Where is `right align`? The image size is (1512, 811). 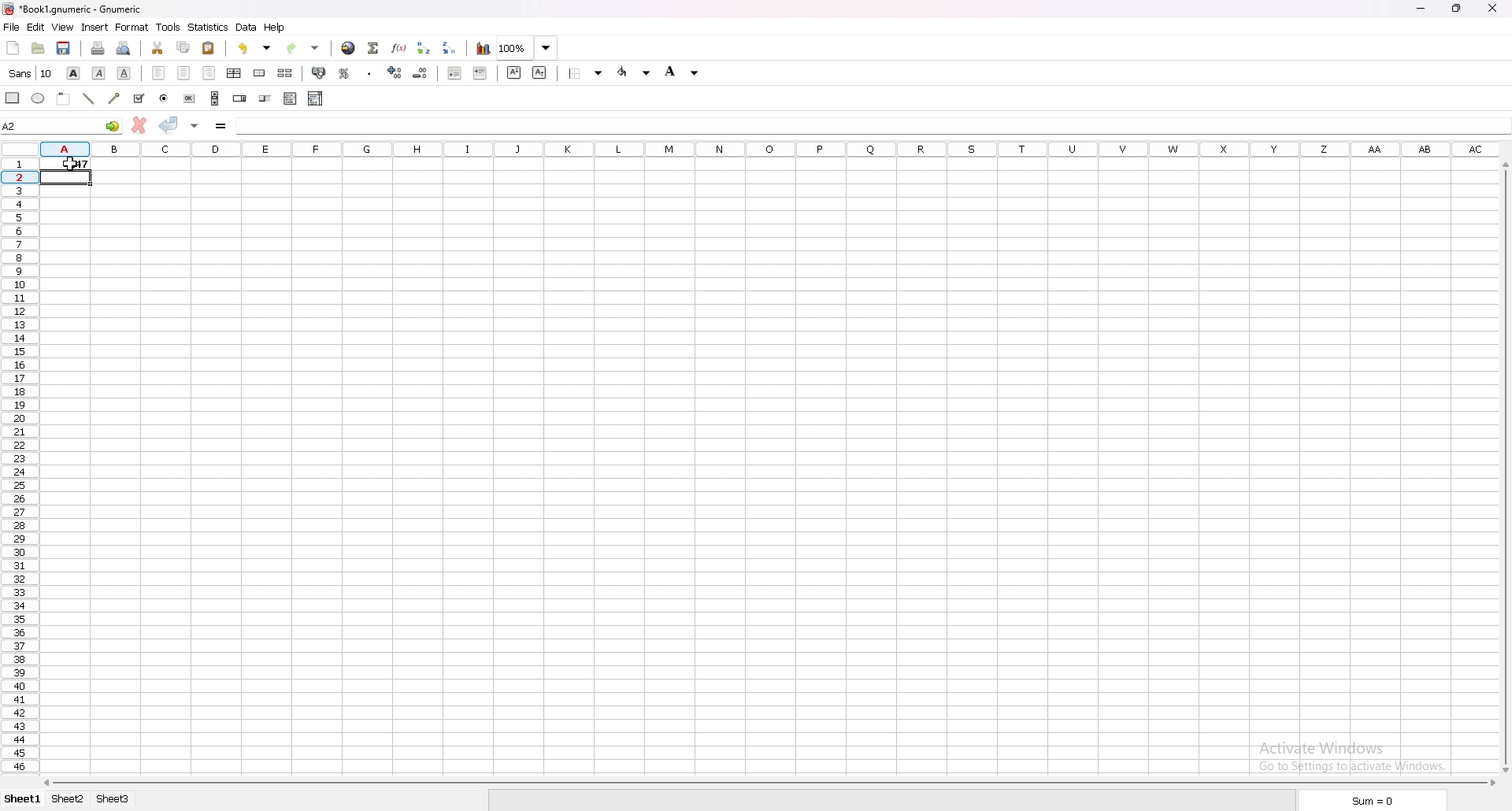
right align is located at coordinates (209, 73).